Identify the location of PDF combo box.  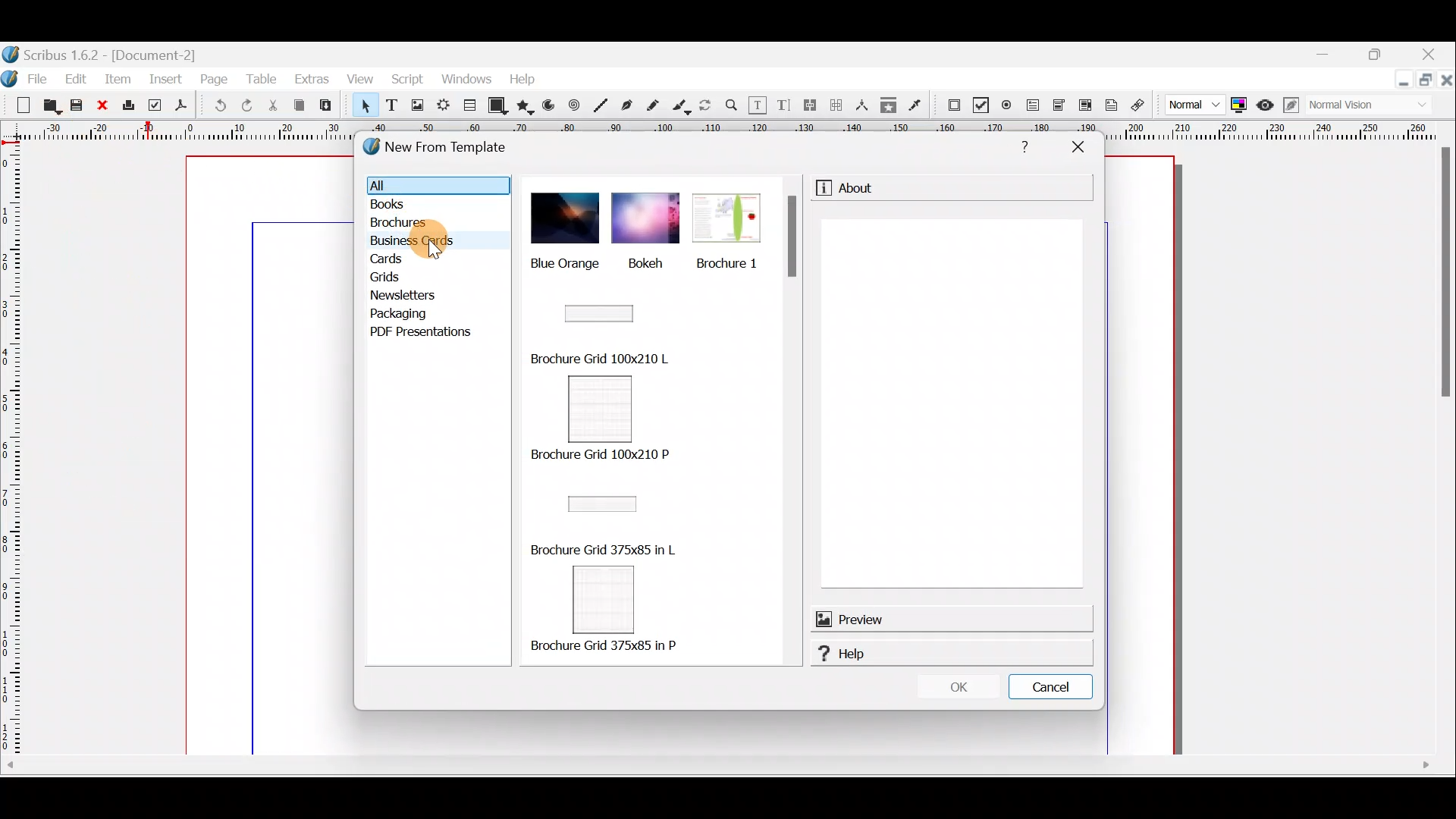
(1057, 105).